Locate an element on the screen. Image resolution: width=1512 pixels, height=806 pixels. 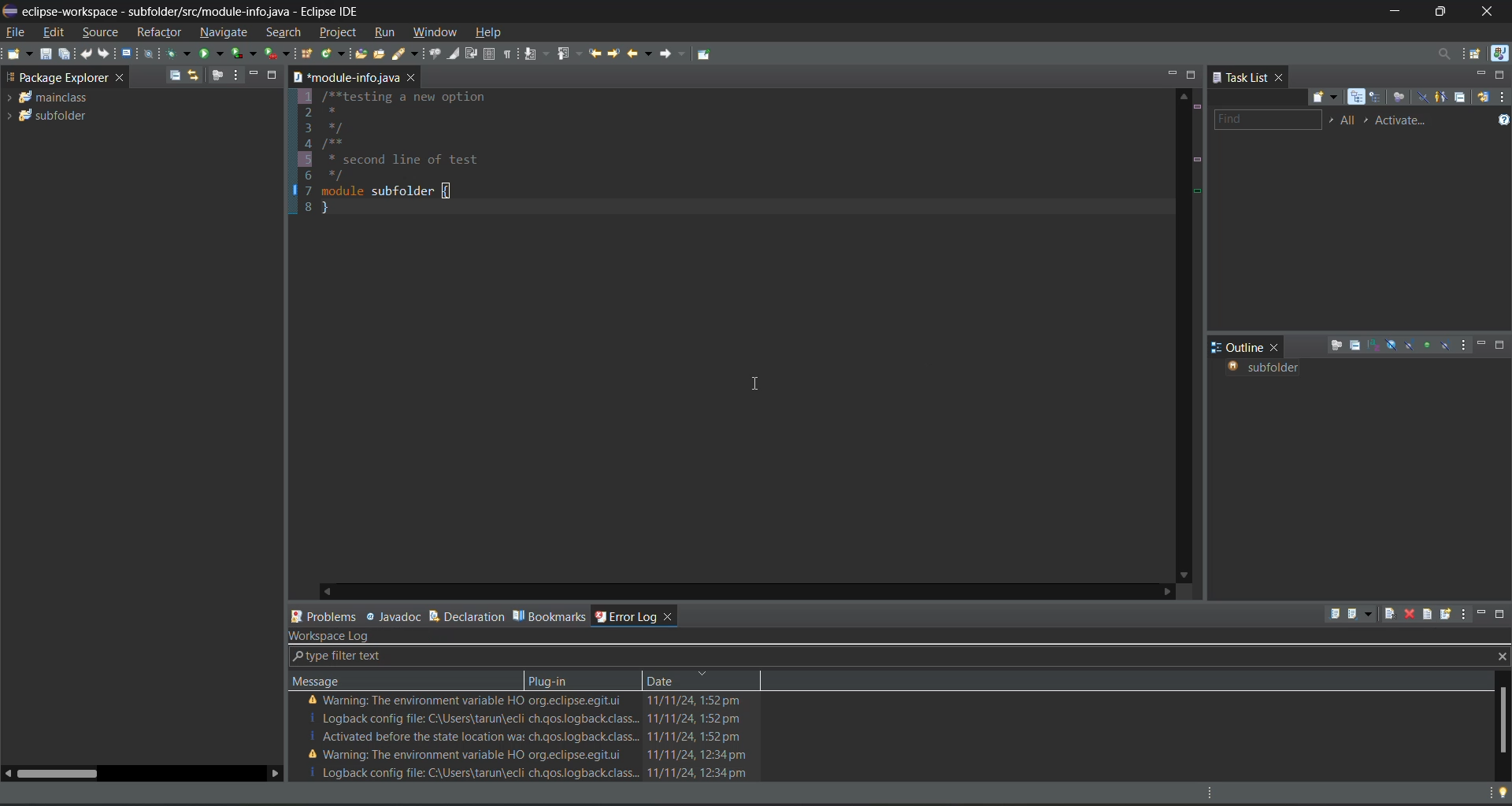
problems is located at coordinates (326, 613).